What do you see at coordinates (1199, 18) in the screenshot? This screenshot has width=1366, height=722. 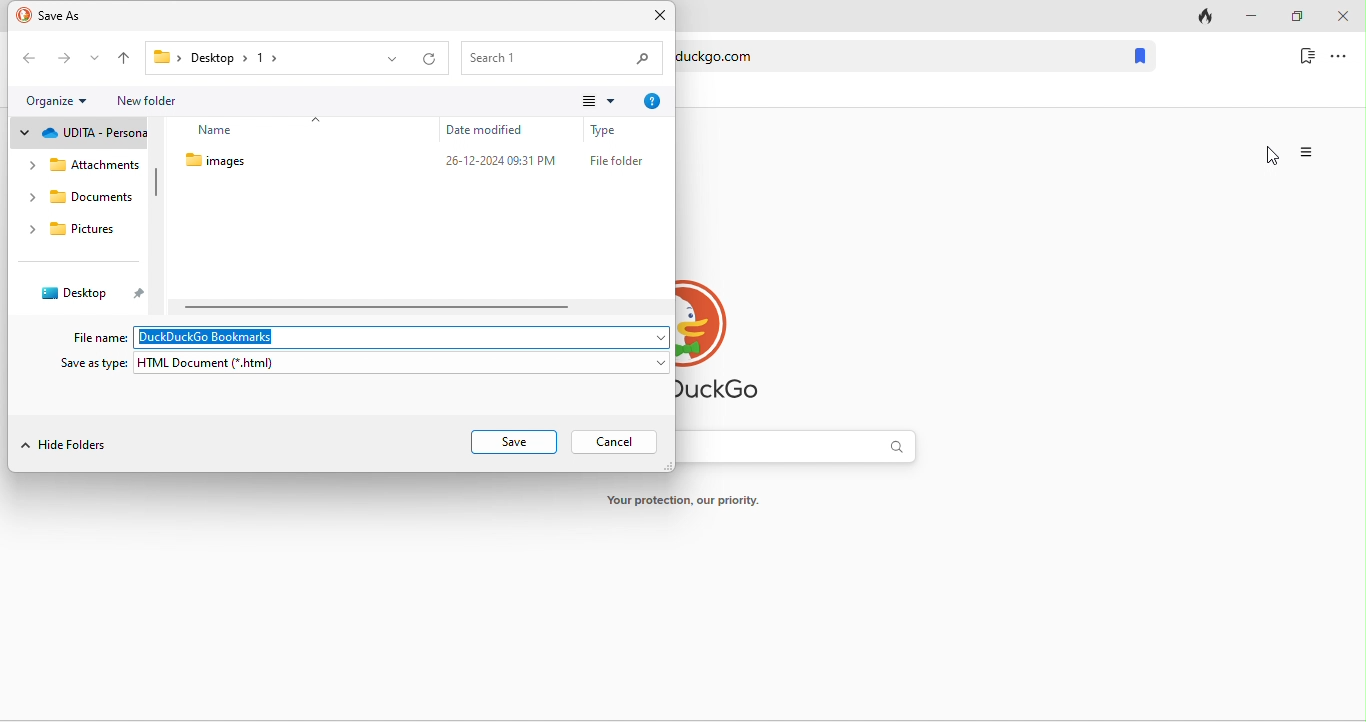 I see `track tab` at bounding box center [1199, 18].